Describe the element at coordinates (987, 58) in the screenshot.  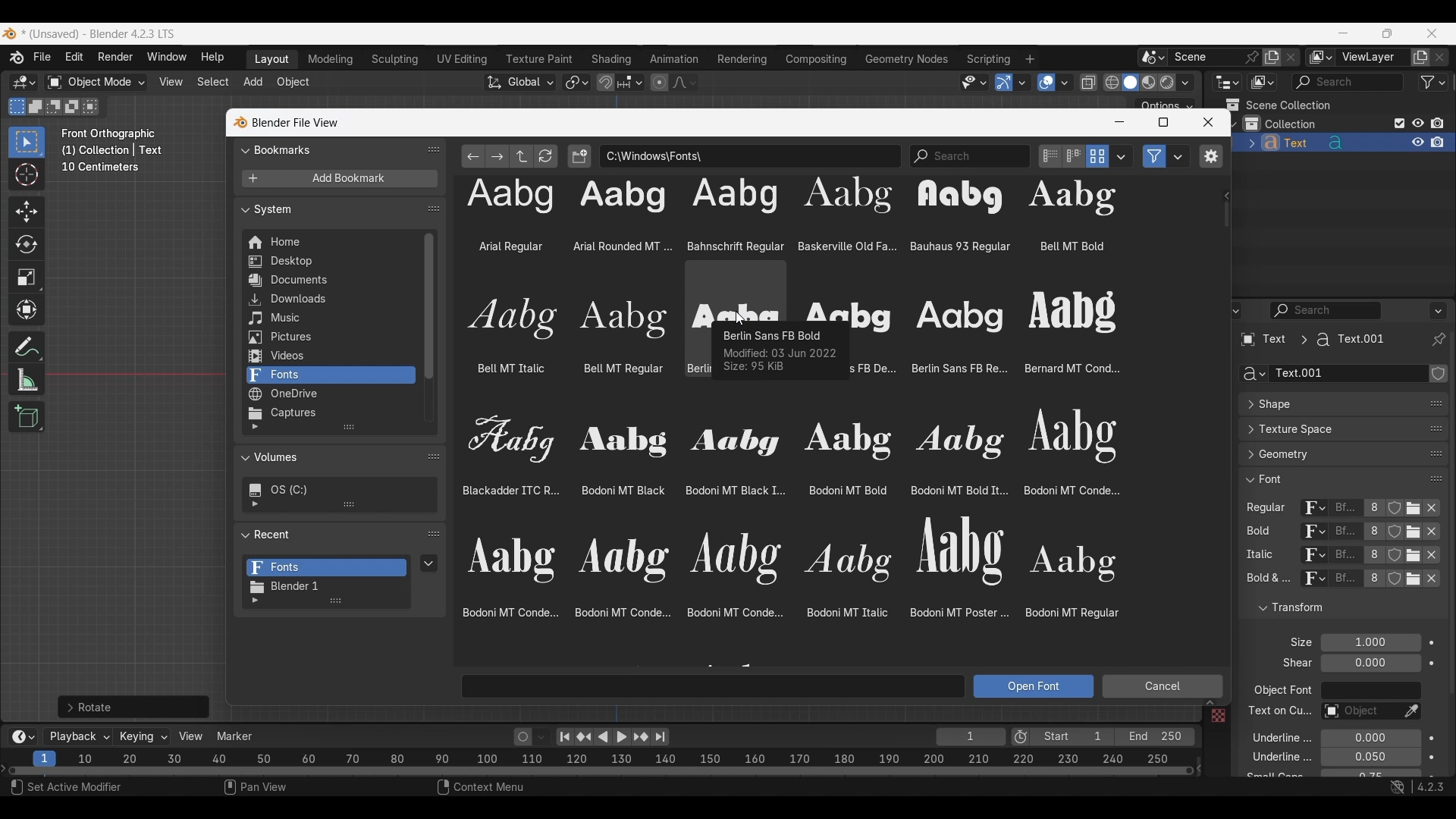
I see `Scripting workspace` at that location.